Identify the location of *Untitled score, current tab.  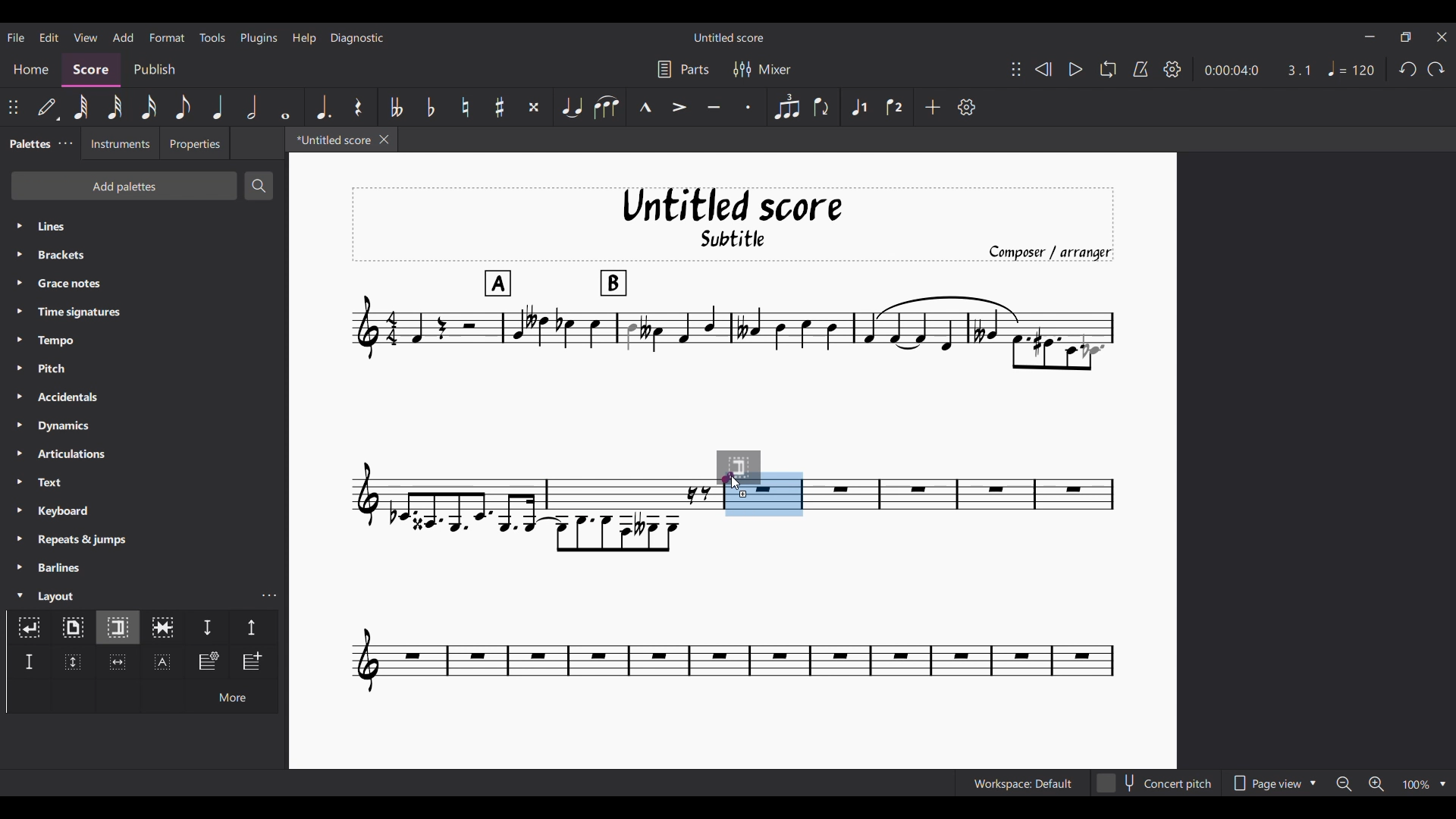
(331, 139).